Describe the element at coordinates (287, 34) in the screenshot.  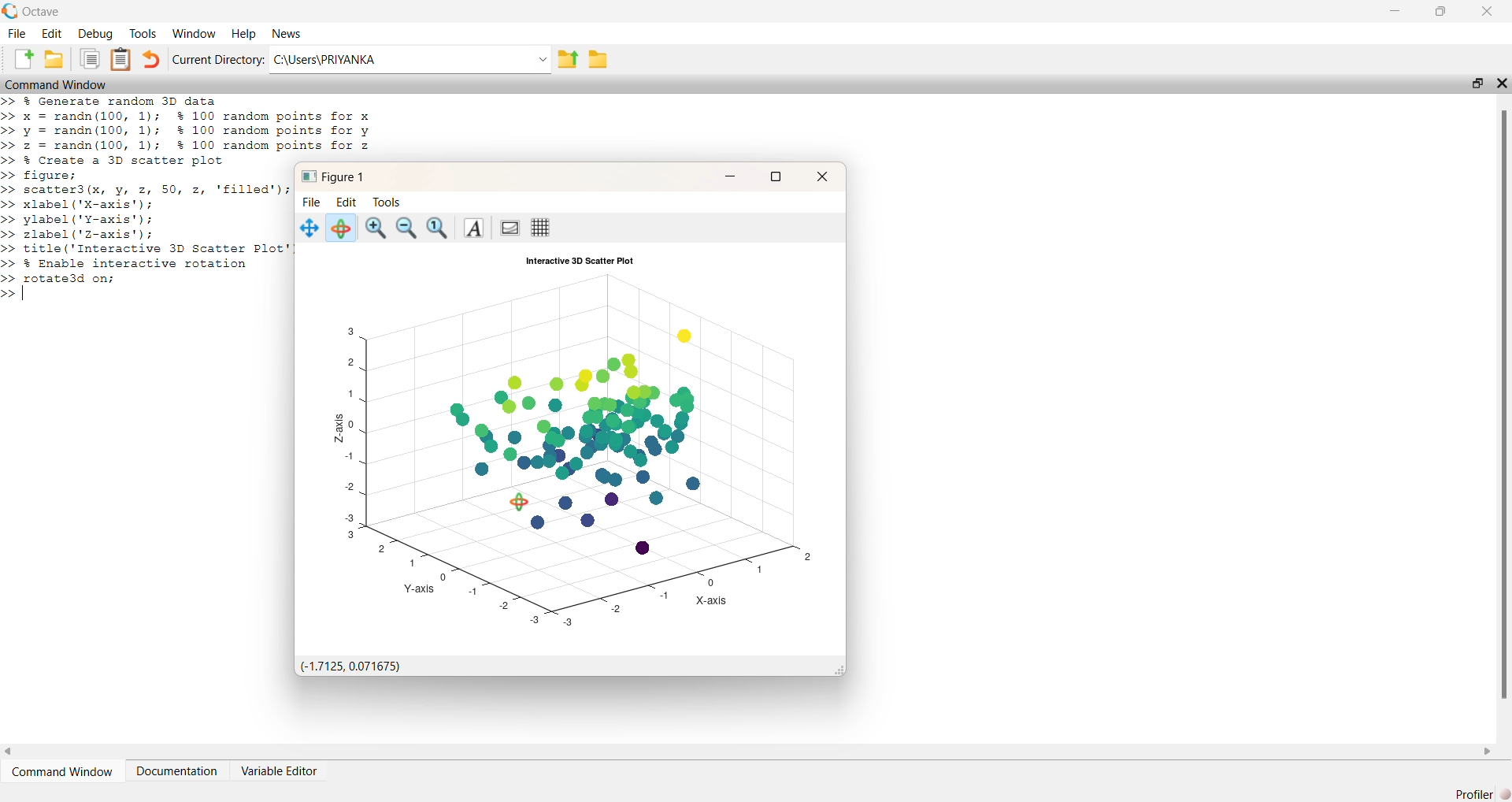
I see `News` at that location.